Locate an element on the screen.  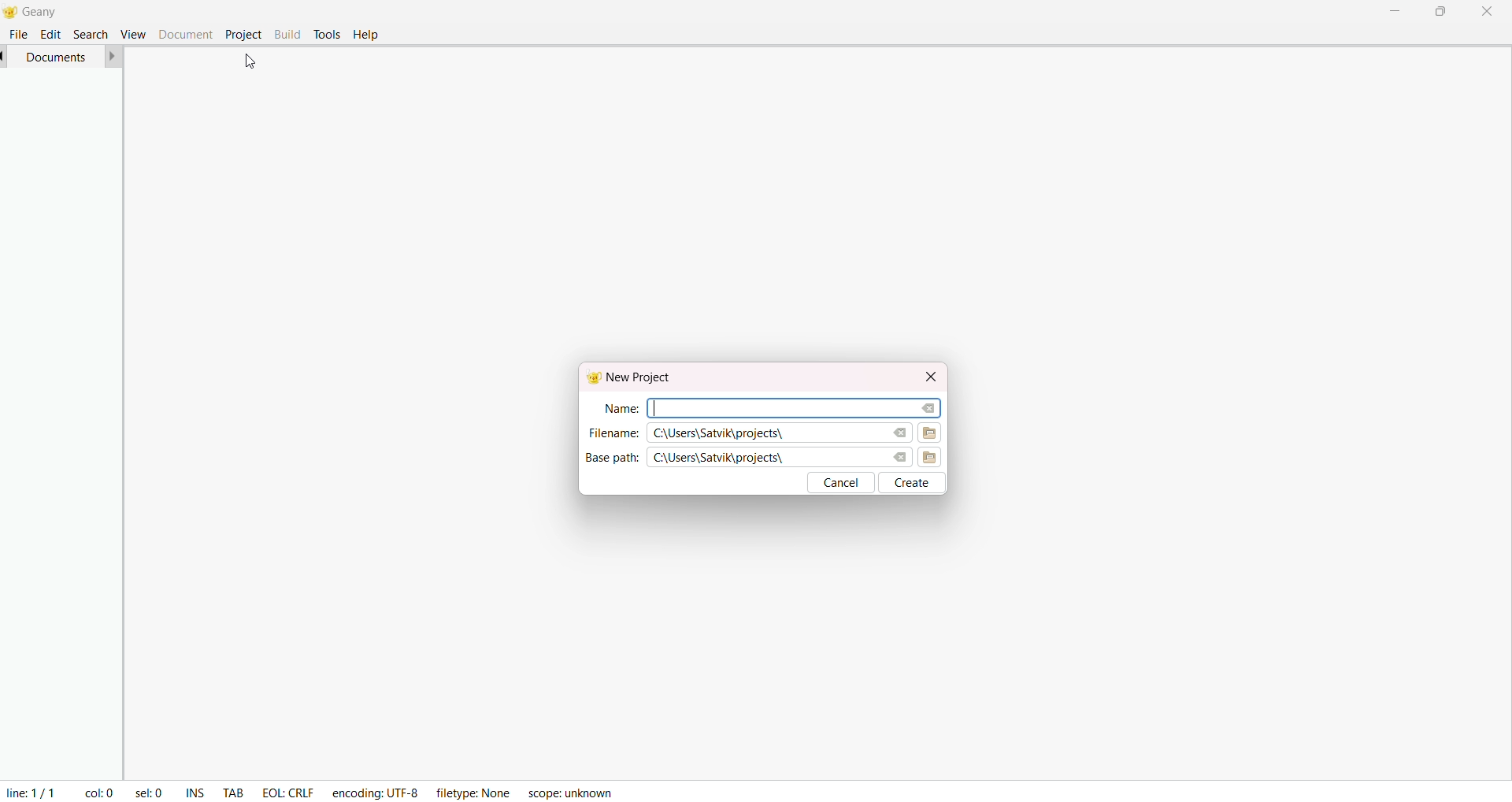
documents is located at coordinates (57, 56).